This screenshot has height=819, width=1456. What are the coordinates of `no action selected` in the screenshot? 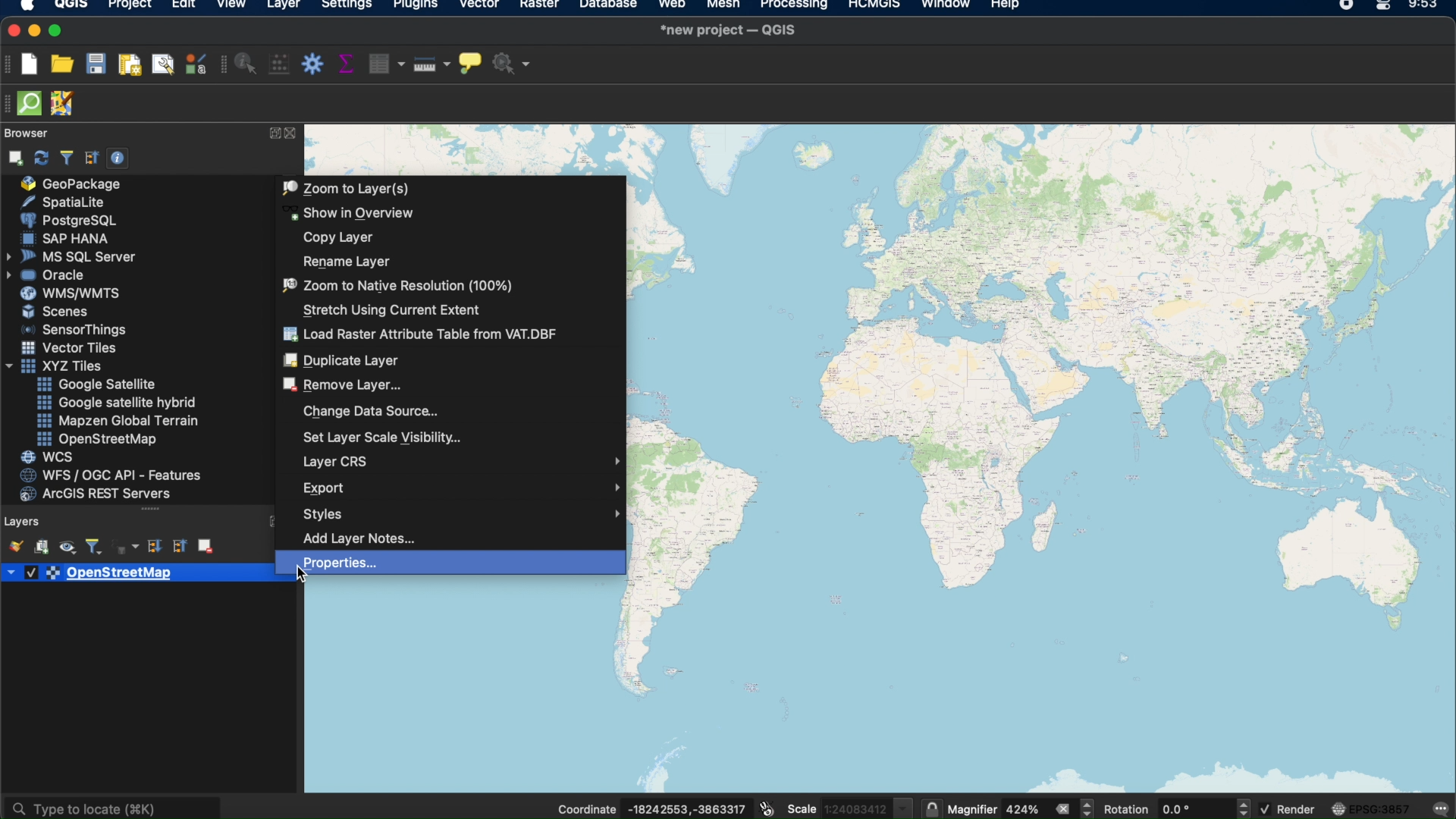 It's located at (512, 64).